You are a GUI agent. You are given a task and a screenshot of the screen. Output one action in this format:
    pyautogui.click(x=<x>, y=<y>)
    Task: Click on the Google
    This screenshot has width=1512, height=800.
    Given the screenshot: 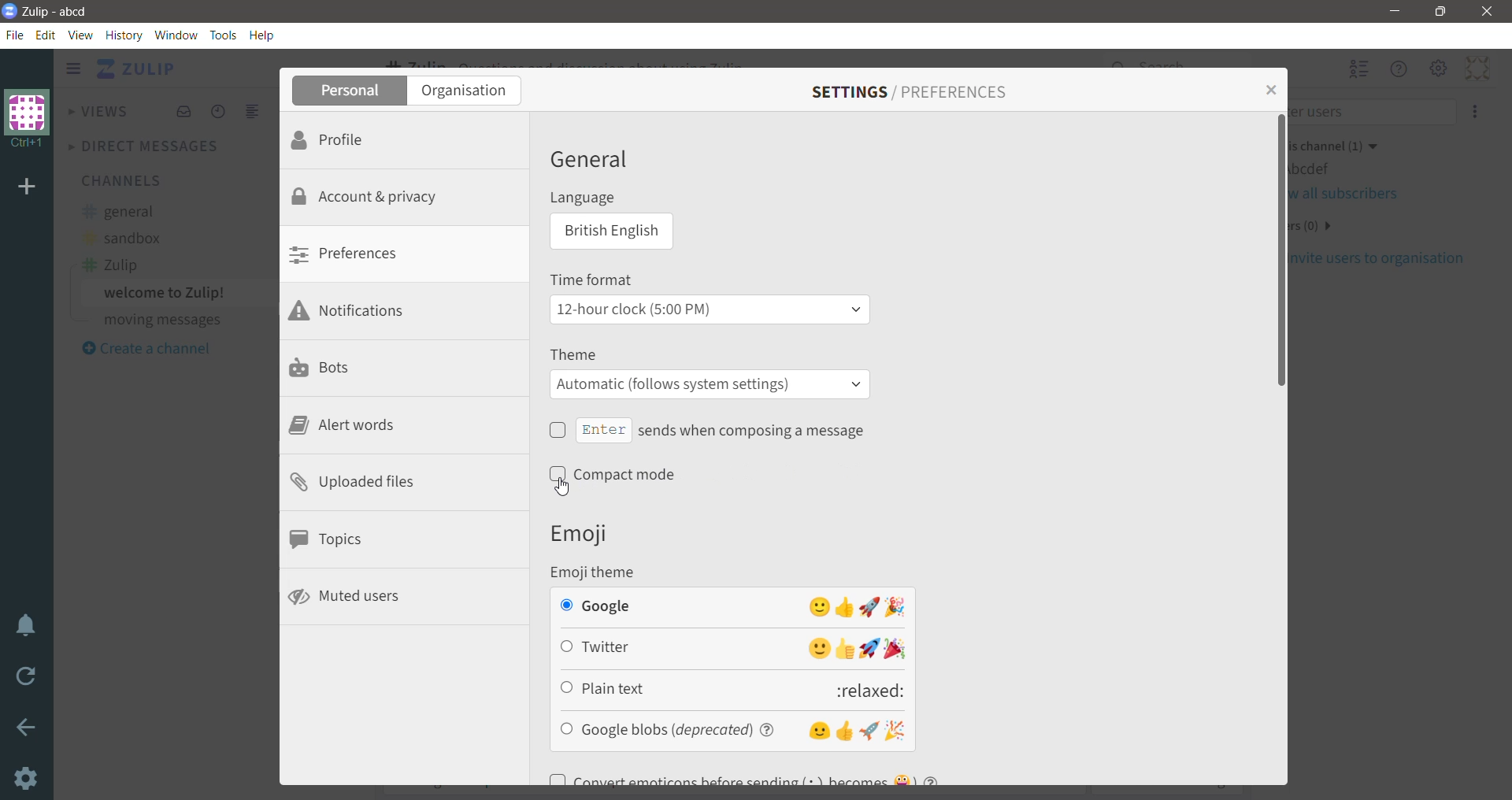 What is the action you would take?
    pyautogui.click(x=731, y=606)
    